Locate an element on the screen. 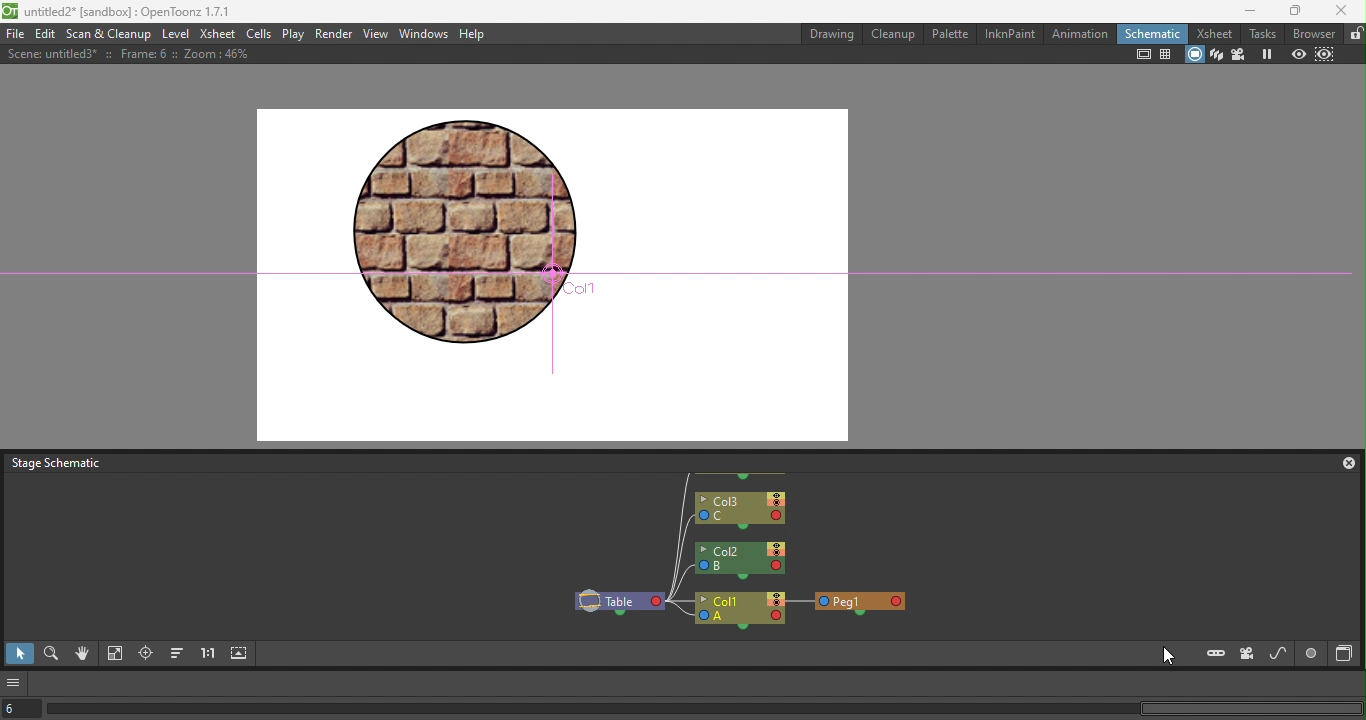 This screenshot has height=720, width=1366. More options is located at coordinates (15, 683).